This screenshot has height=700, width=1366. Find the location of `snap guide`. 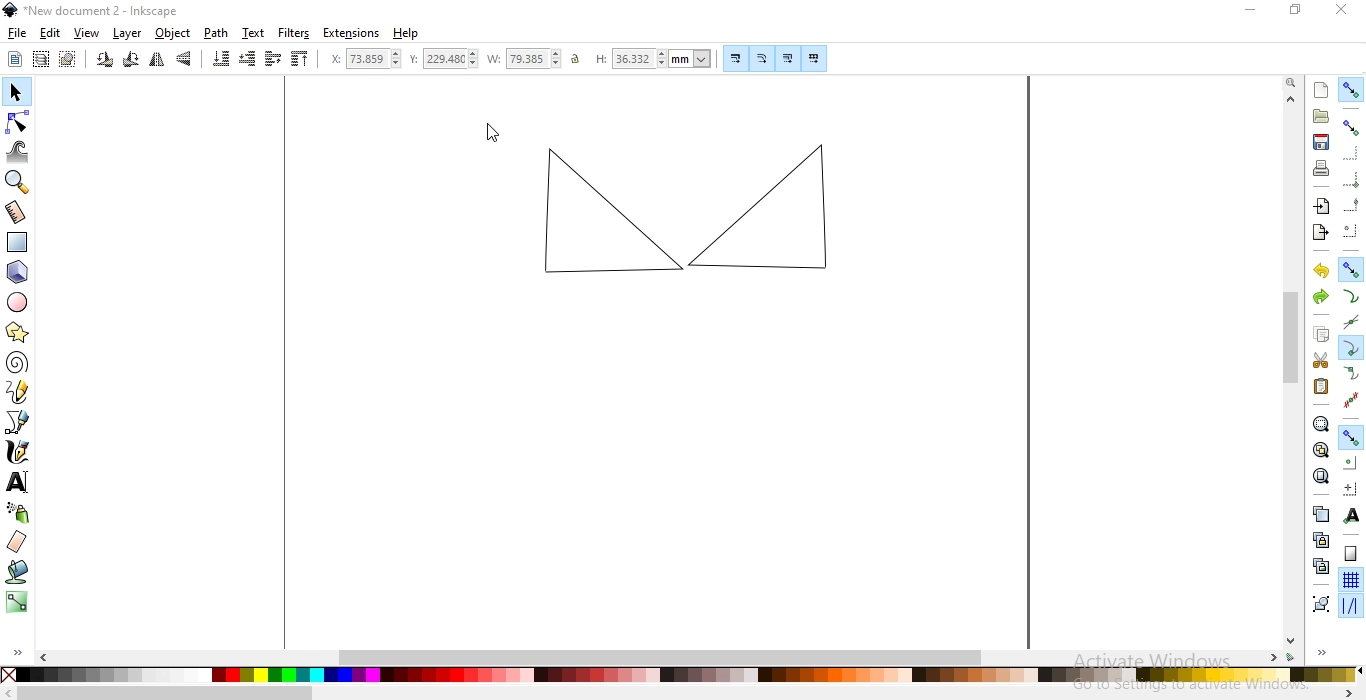

snap guide is located at coordinates (1350, 607).